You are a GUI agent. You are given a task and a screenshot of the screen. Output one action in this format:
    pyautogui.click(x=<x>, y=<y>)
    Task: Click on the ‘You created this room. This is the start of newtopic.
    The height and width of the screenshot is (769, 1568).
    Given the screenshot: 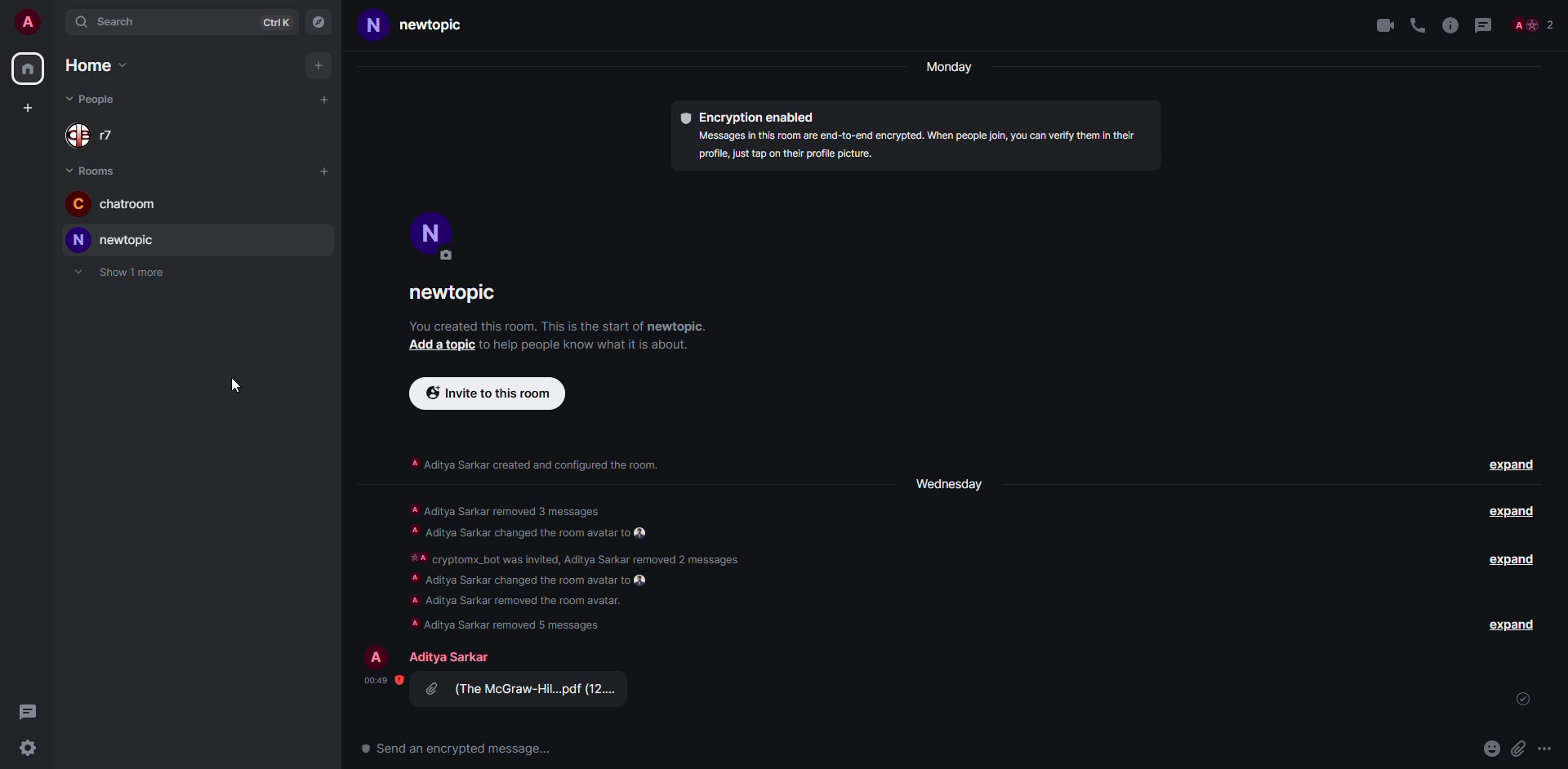 What is the action you would take?
    pyautogui.click(x=572, y=326)
    